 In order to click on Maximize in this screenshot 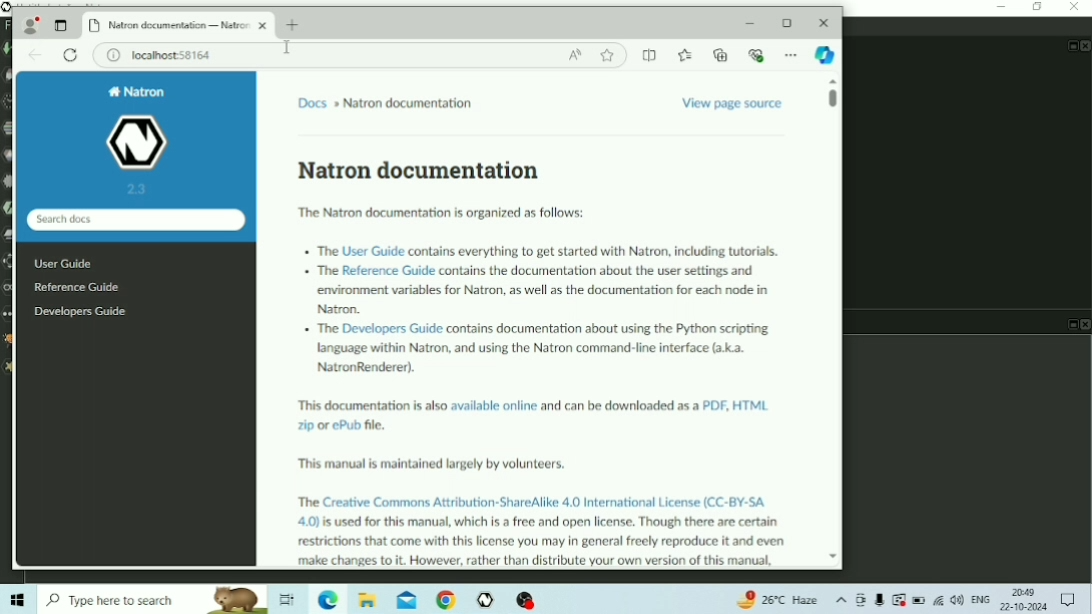, I will do `click(788, 23)`.